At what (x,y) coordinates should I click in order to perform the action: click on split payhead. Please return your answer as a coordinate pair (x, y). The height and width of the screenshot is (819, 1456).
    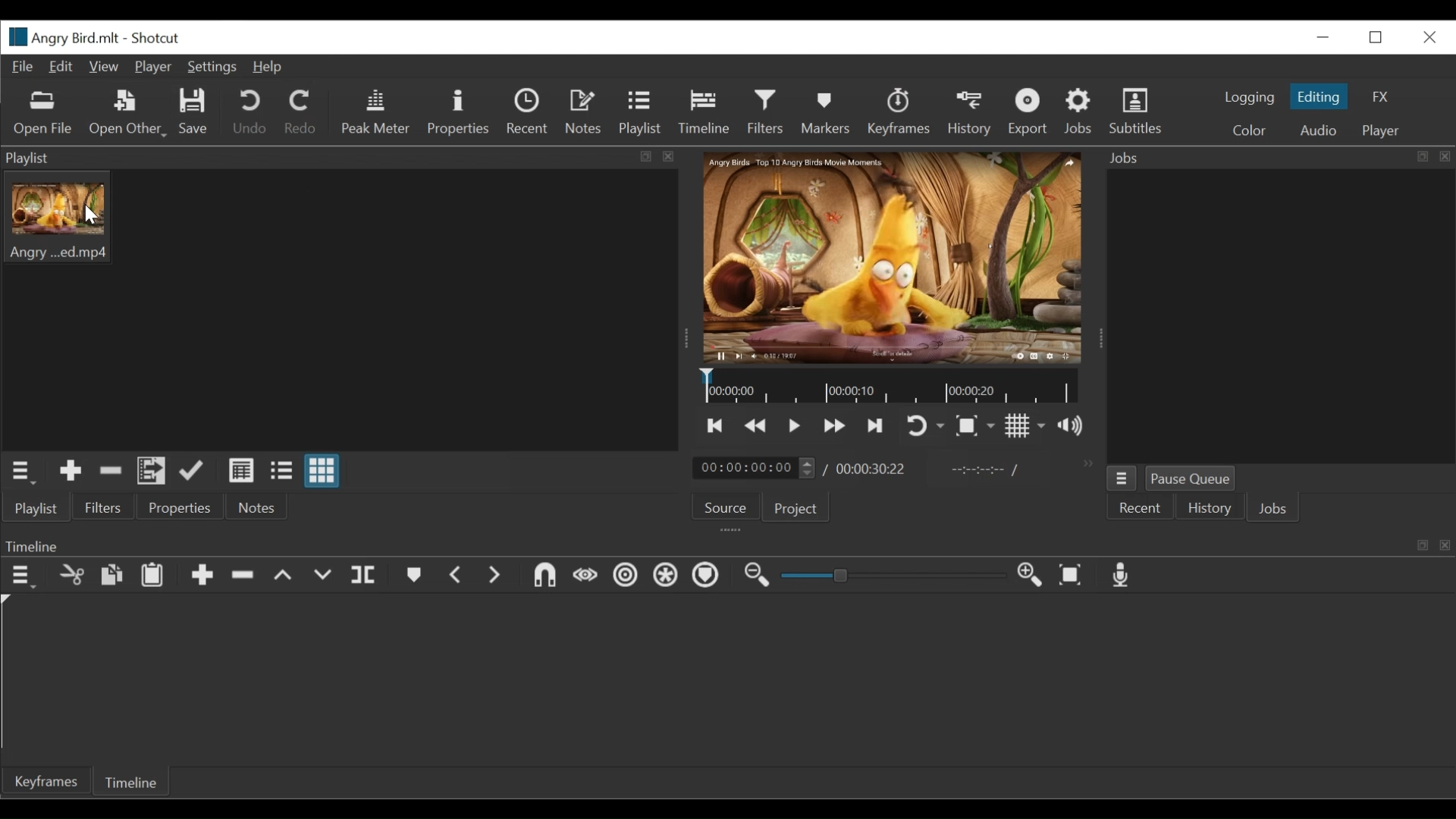
    Looking at the image, I should click on (363, 575).